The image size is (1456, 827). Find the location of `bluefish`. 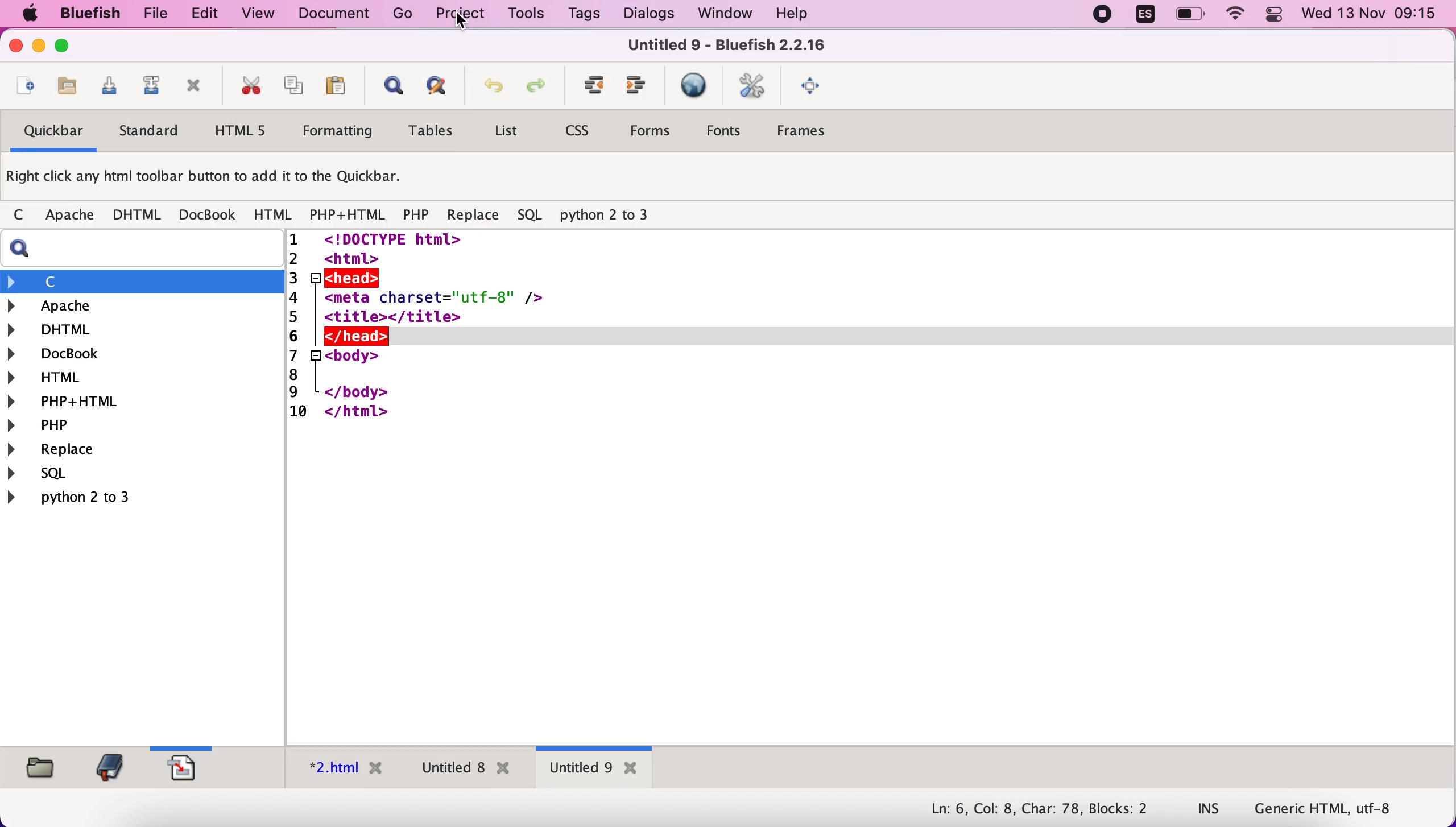

bluefish is located at coordinates (85, 13).